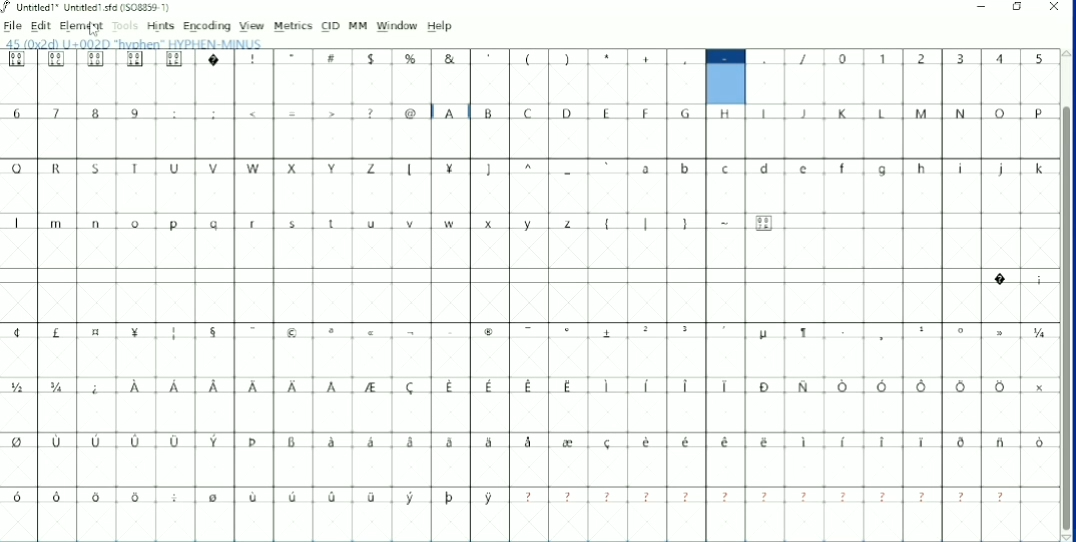  I want to click on Capital Letters, so click(195, 167).